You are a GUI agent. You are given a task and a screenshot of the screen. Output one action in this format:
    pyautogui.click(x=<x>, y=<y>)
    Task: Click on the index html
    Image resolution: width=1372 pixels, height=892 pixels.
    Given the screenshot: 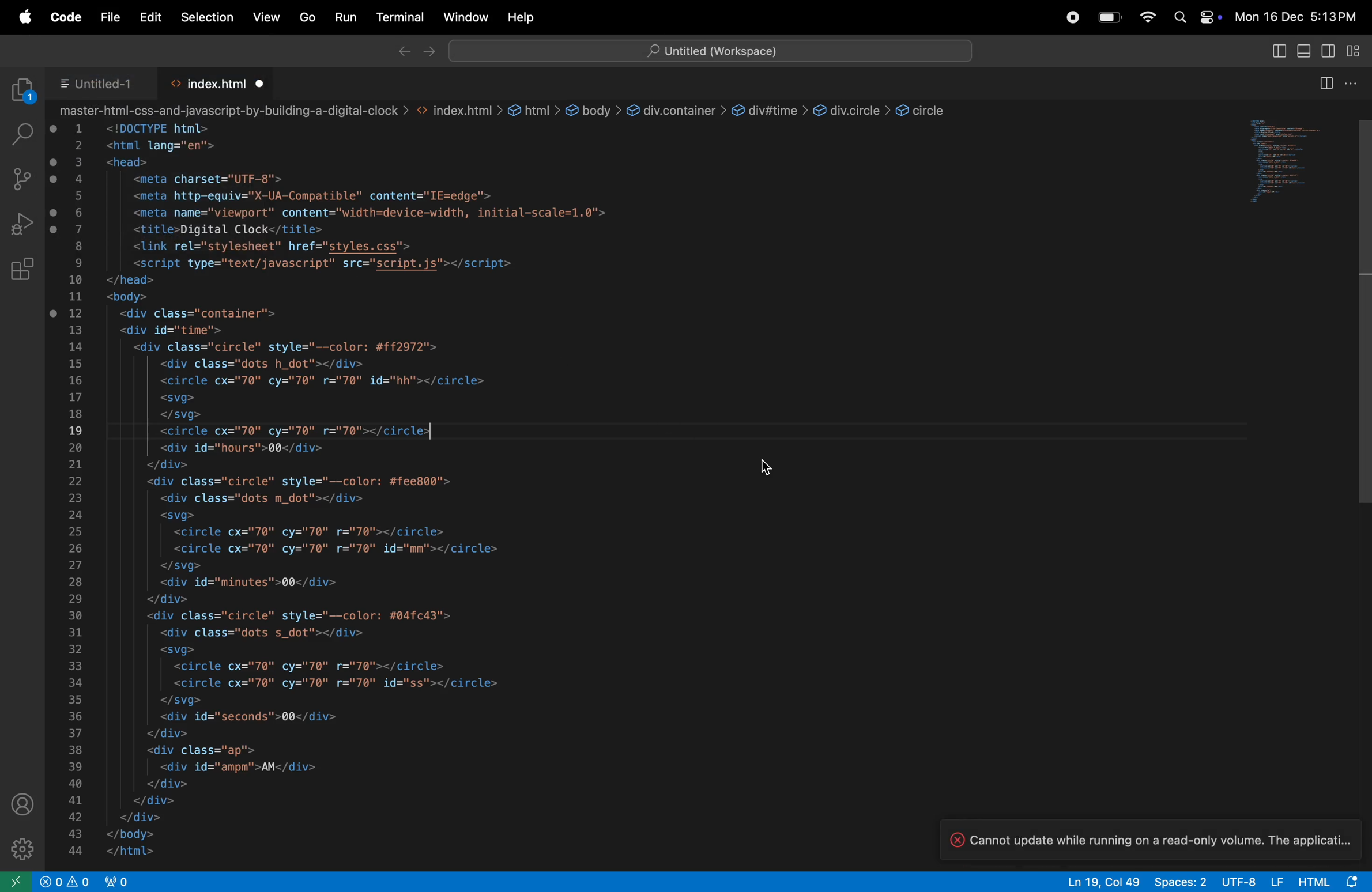 What is the action you would take?
    pyautogui.click(x=219, y=81)
    